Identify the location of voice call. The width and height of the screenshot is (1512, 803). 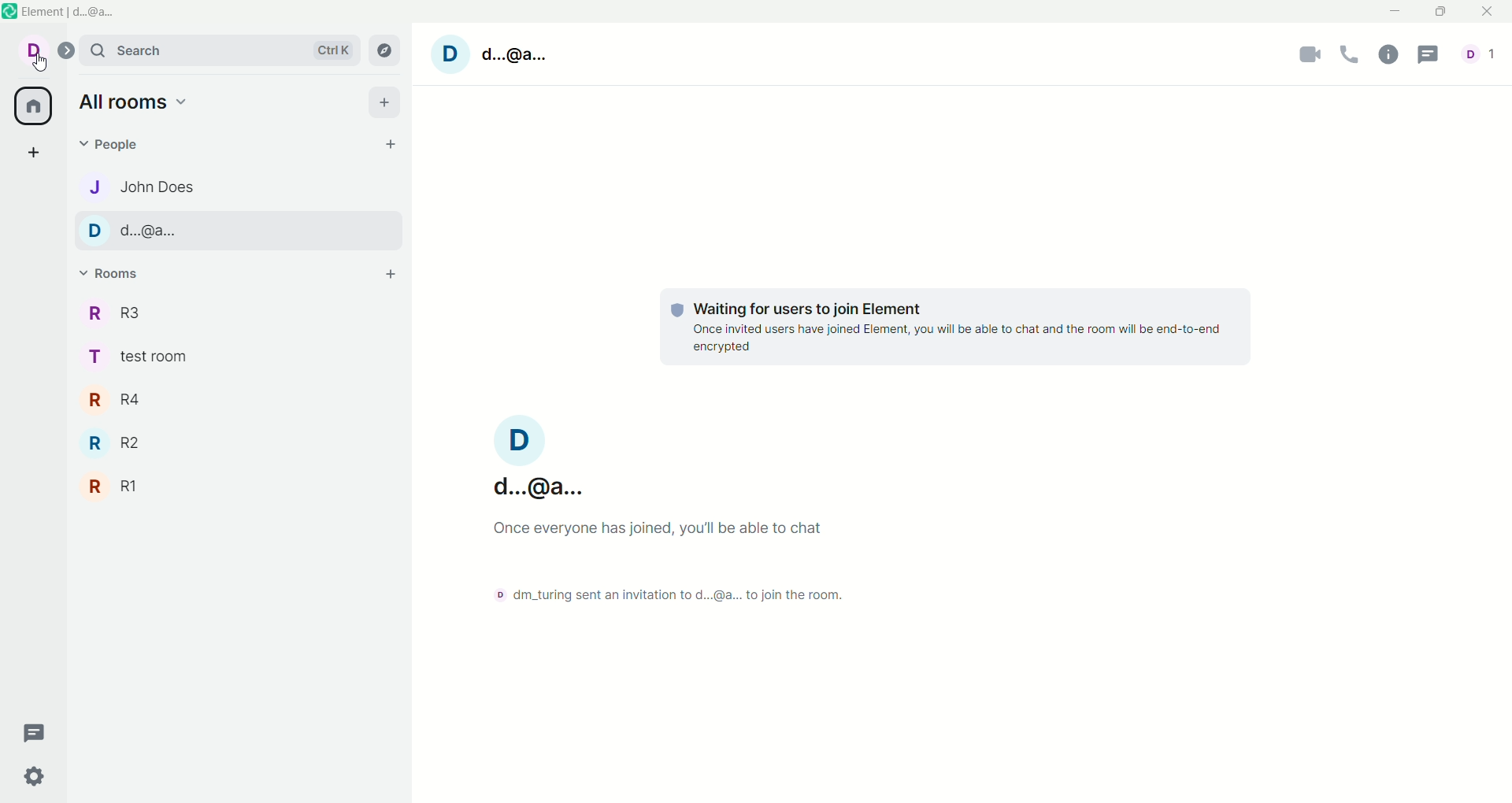
(1354, 55).